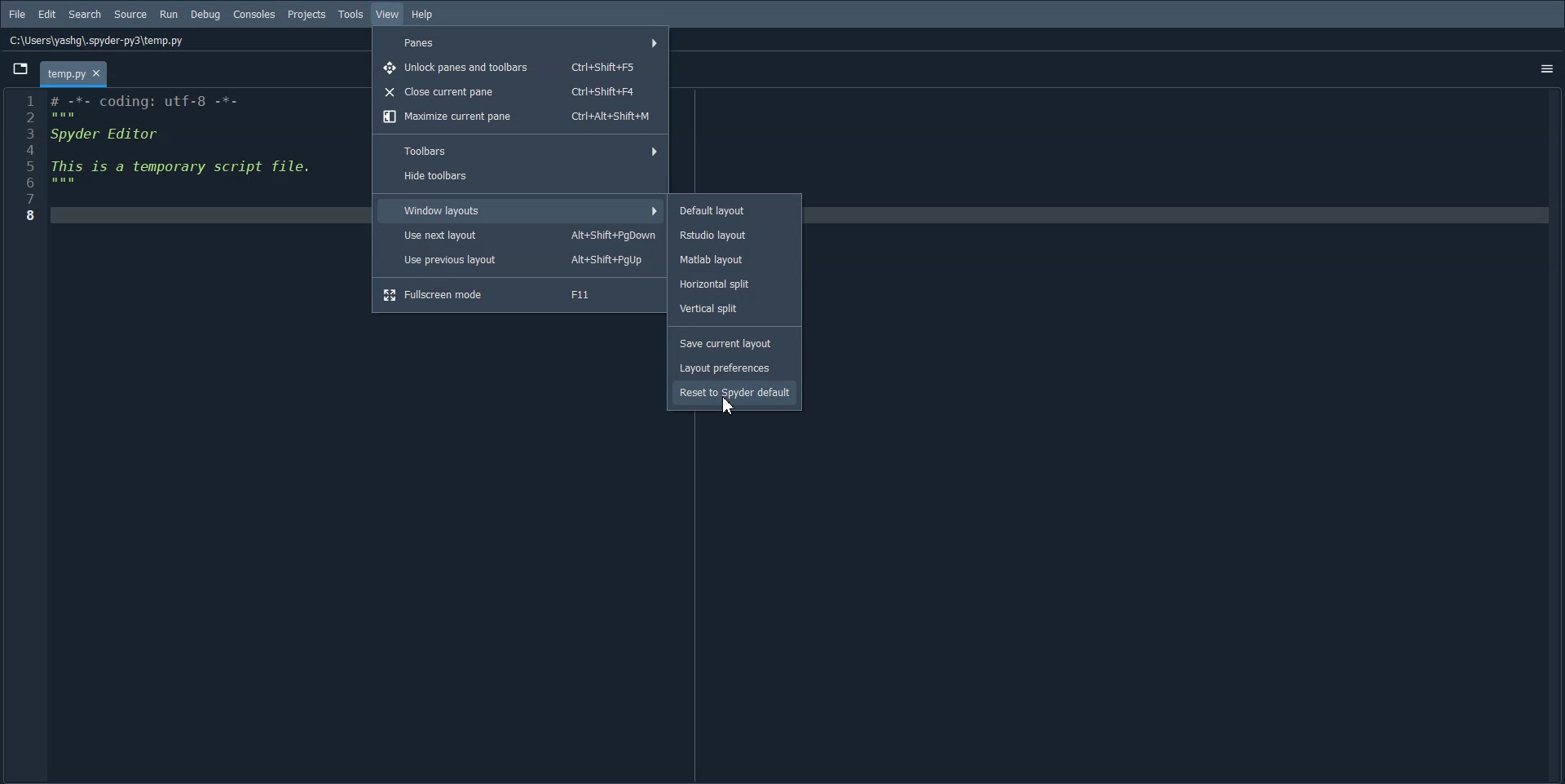 This screenshot has width=1565, height=784. Describe the element at coordinates (521, 236) in the screenshot. I see `Use next layout` at that location.